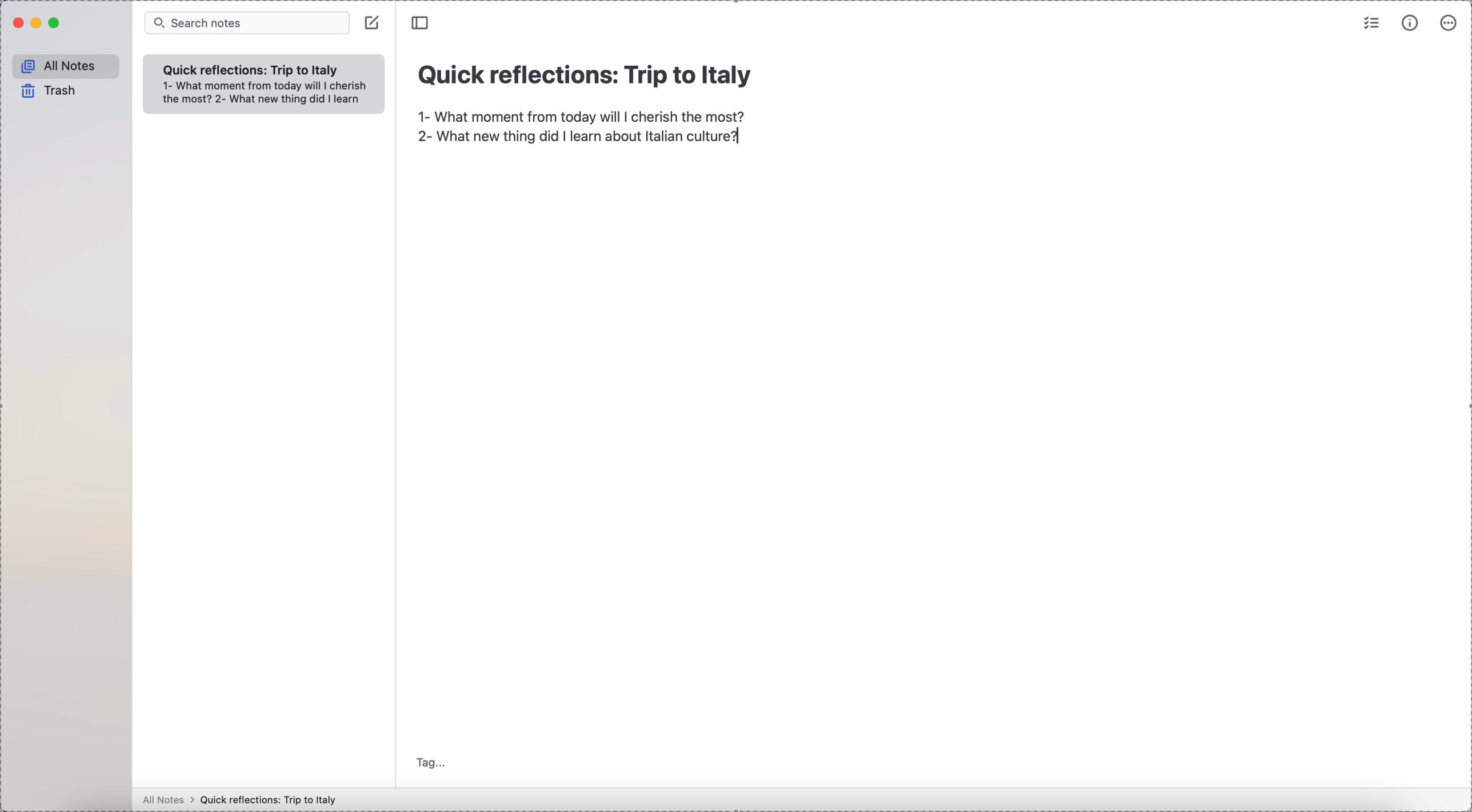 The image size is (1472, 812). I want to click on Quick reflections: Trip to Italy, so click(582, 79).